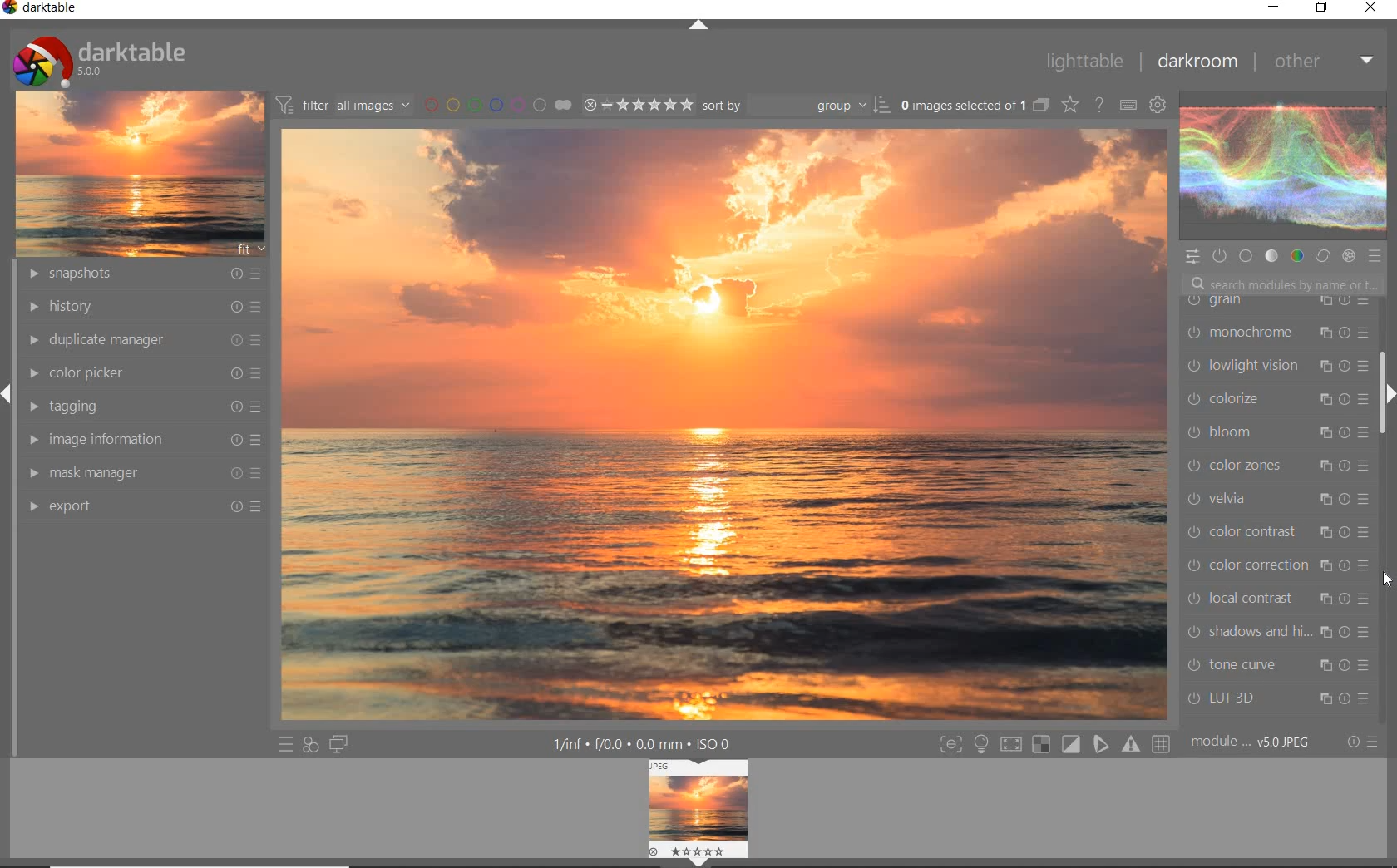 The height and width of the screenshot is (868, 1397). Describe the element at coordinates (1201, 62) in the screenshot. I see `darkroom` at that location.